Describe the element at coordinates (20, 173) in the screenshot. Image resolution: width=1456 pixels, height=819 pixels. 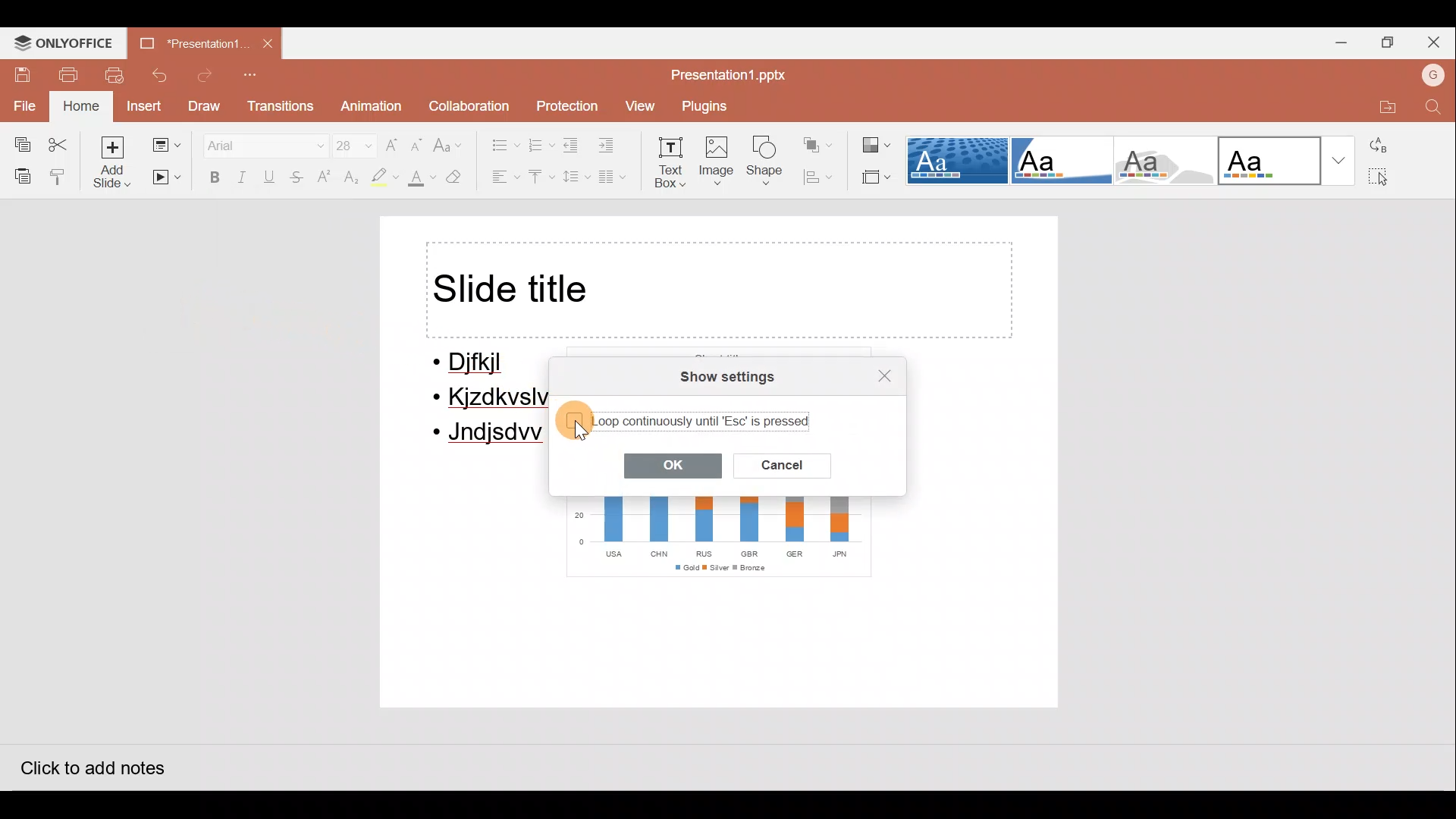
I see `Paste` at that location.